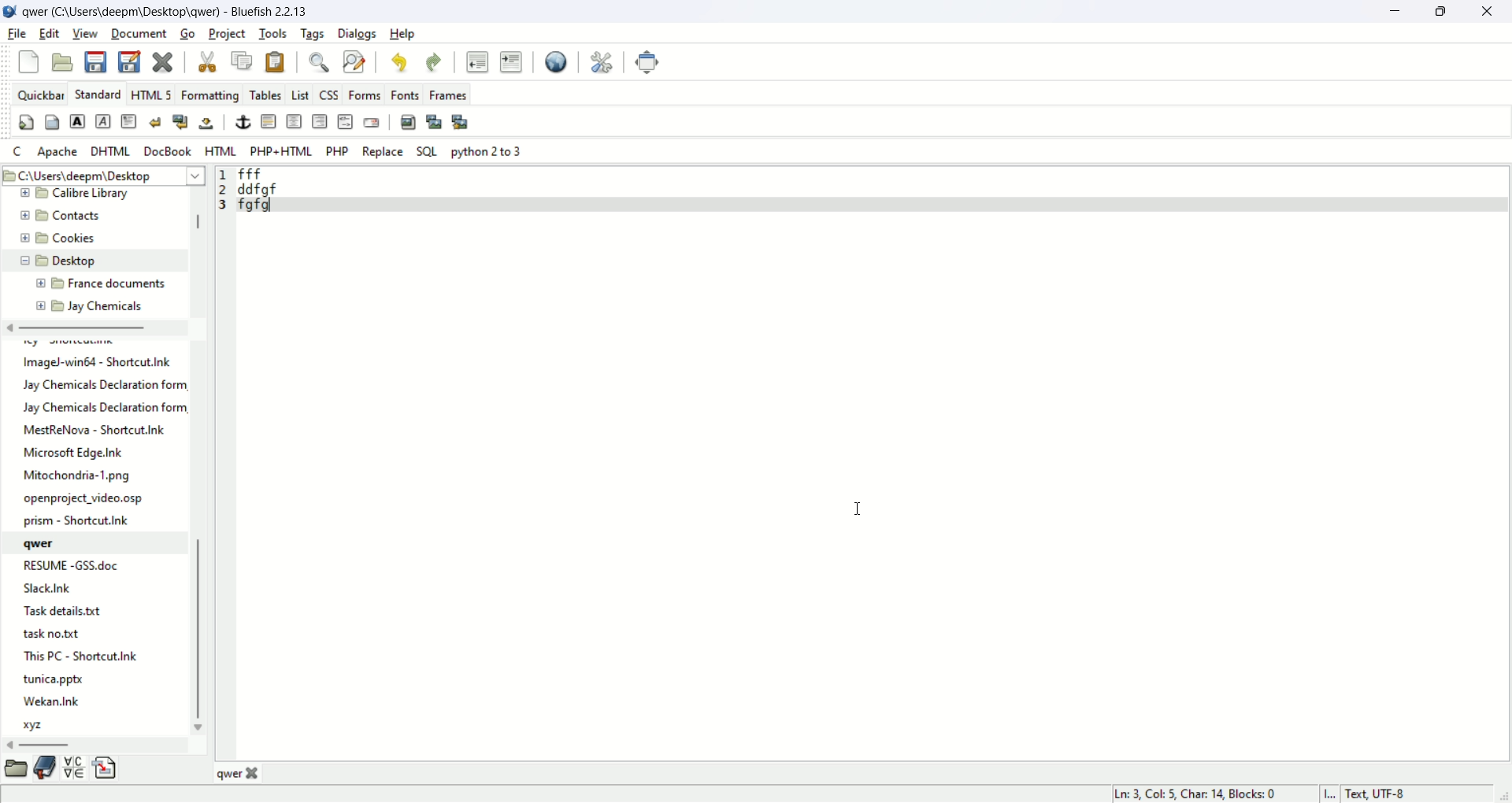  Describe the element at coordinates (1392, 12) in the screenshot. I see `minimize` at that location.